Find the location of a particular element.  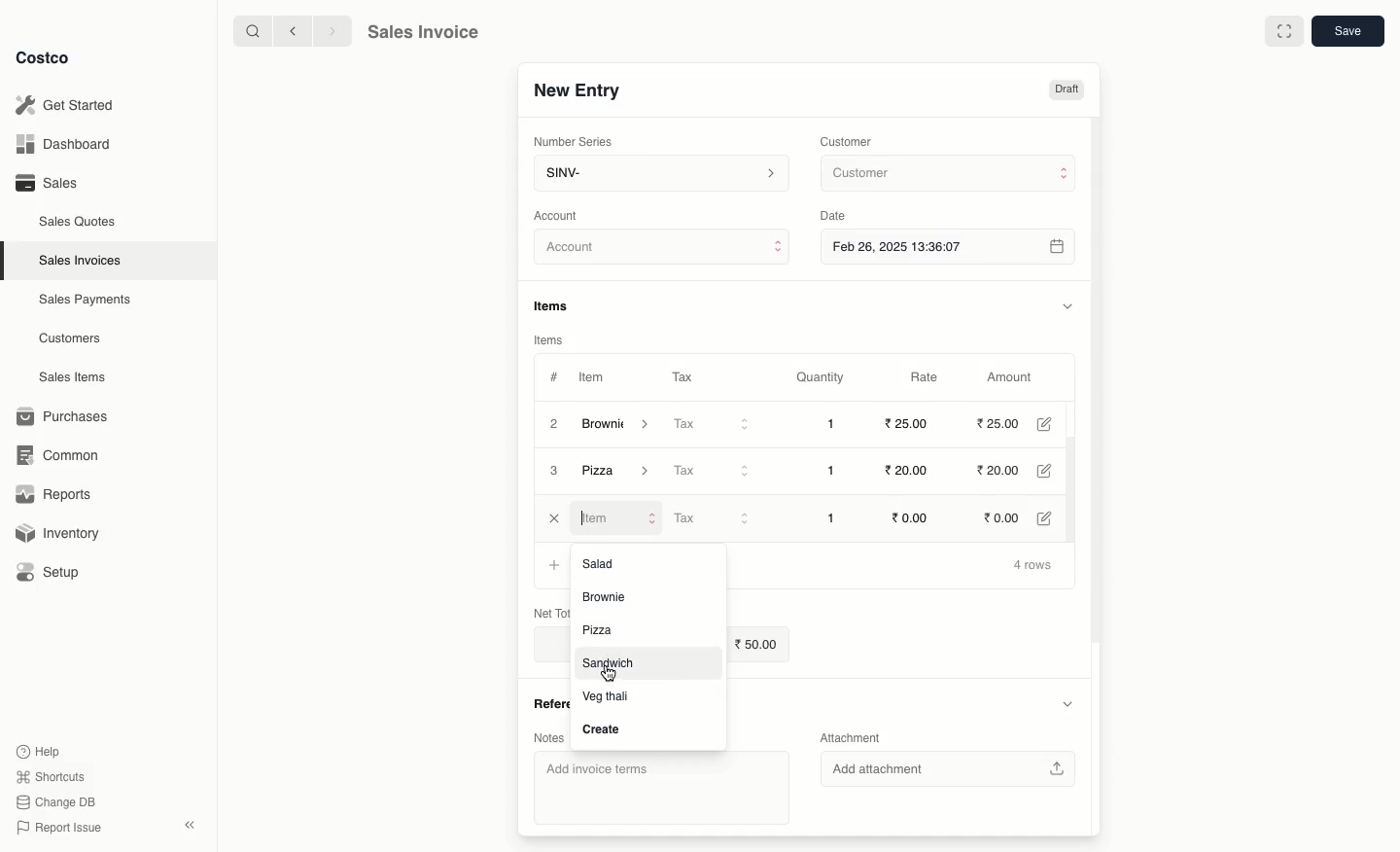

1 is located at coordinates (836, 424).